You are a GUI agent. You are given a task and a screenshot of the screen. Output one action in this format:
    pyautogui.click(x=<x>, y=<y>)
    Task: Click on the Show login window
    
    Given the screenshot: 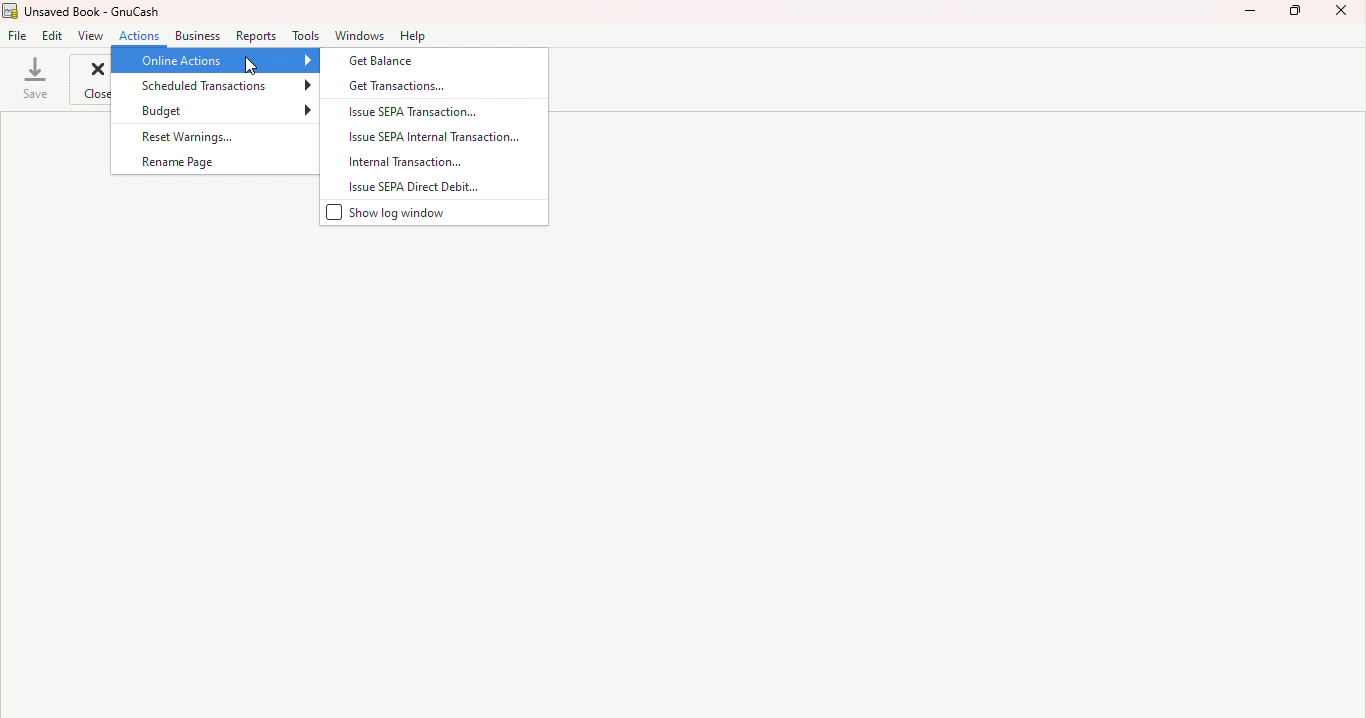 What is the action you would take?
    pyautogui.click(x=423, y=214)
    